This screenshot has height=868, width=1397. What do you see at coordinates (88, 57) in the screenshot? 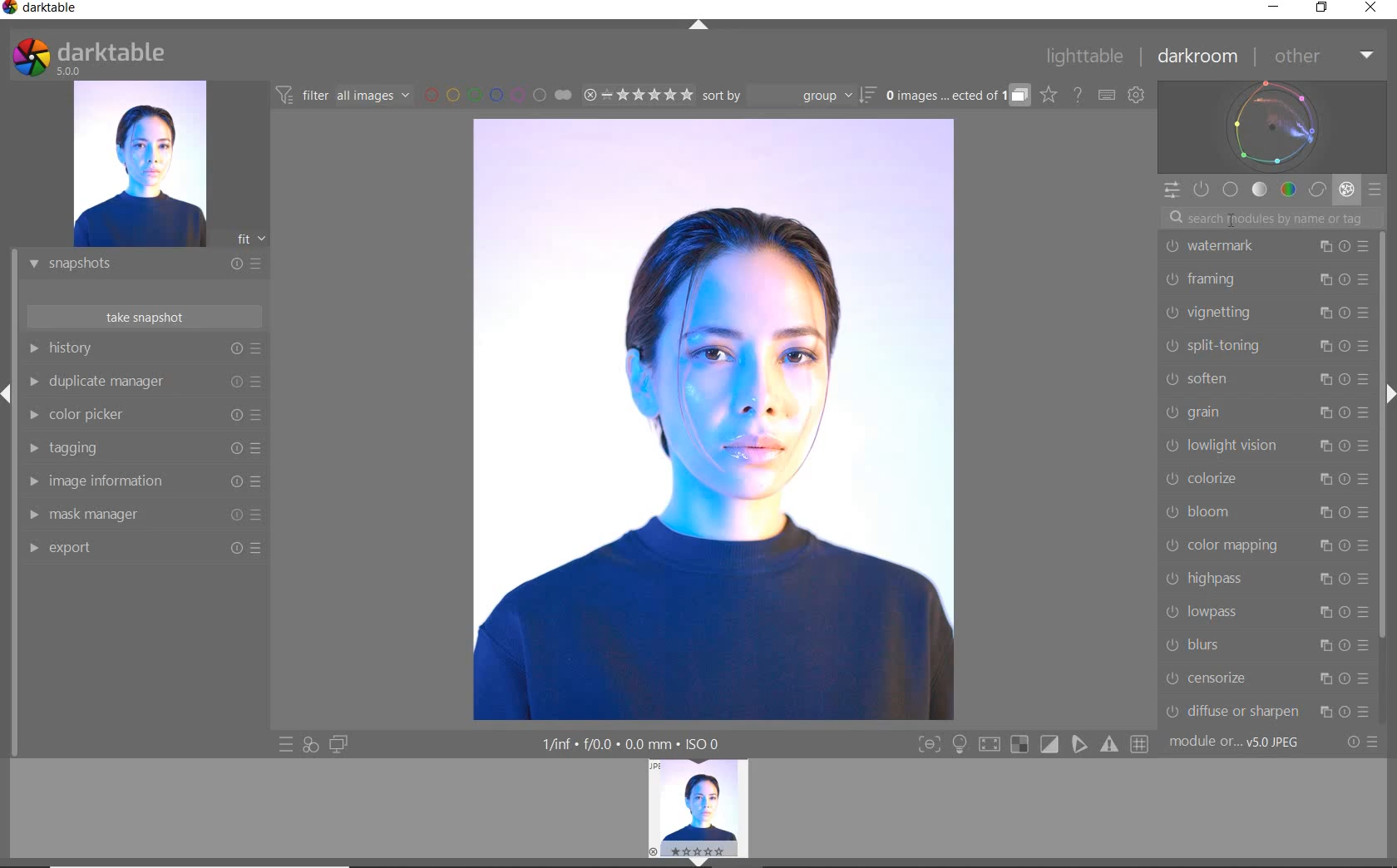
I see `SYSTEM LOGO` at bounding box center [88, 57].